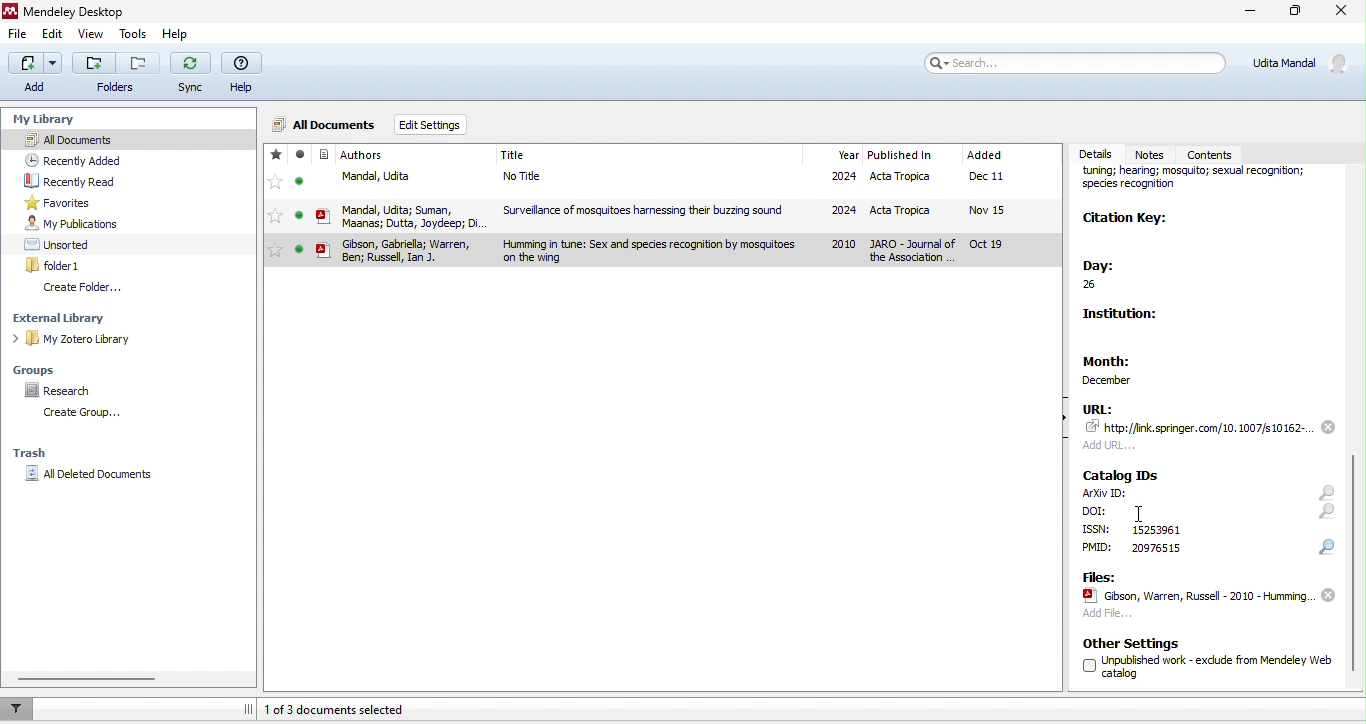 Image resolution: width=1366 pixels, height=724 pixels. I want to click on all documents, so click(128, 138).